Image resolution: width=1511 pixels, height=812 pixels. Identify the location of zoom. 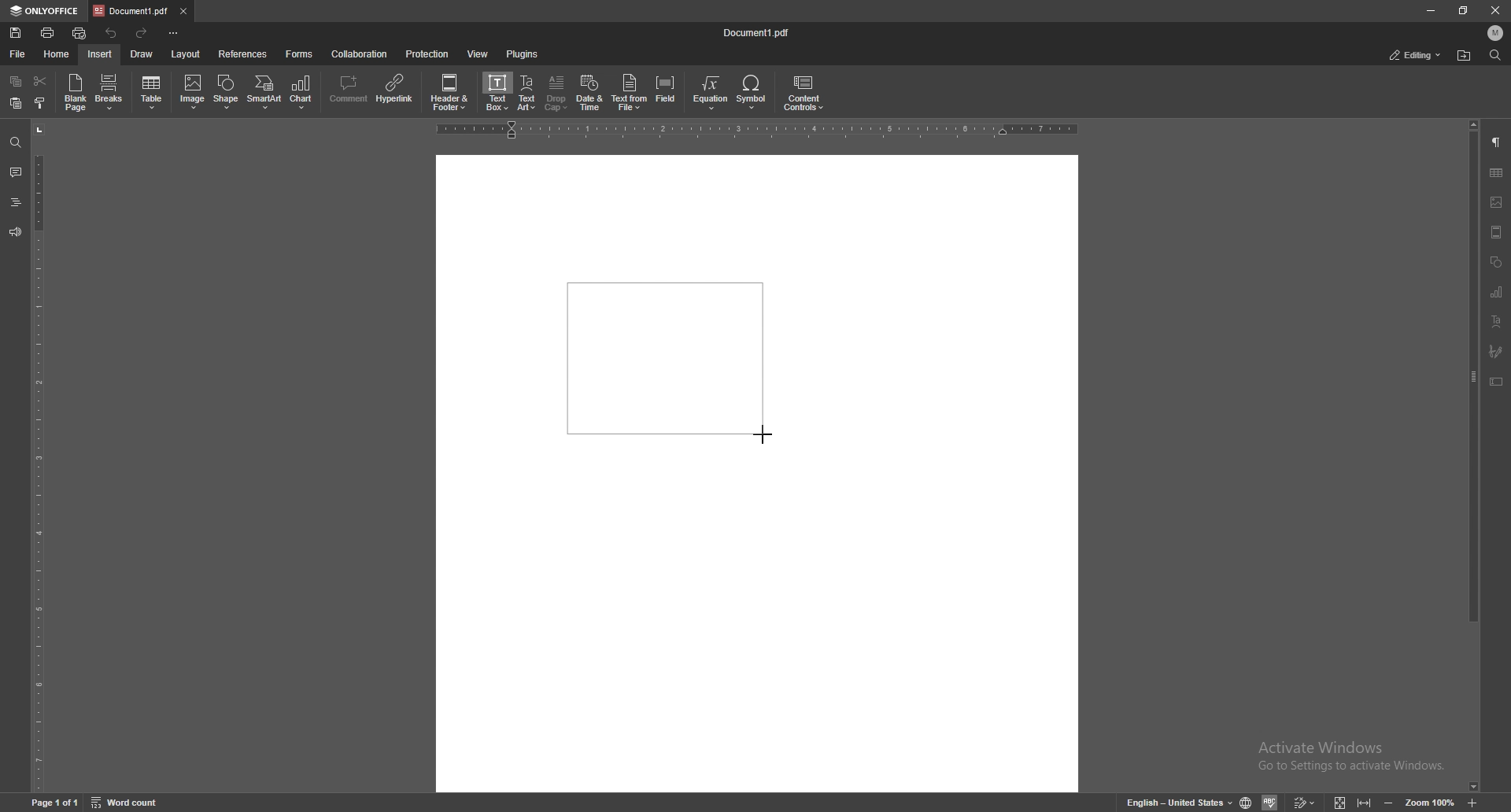
(1430, 803).